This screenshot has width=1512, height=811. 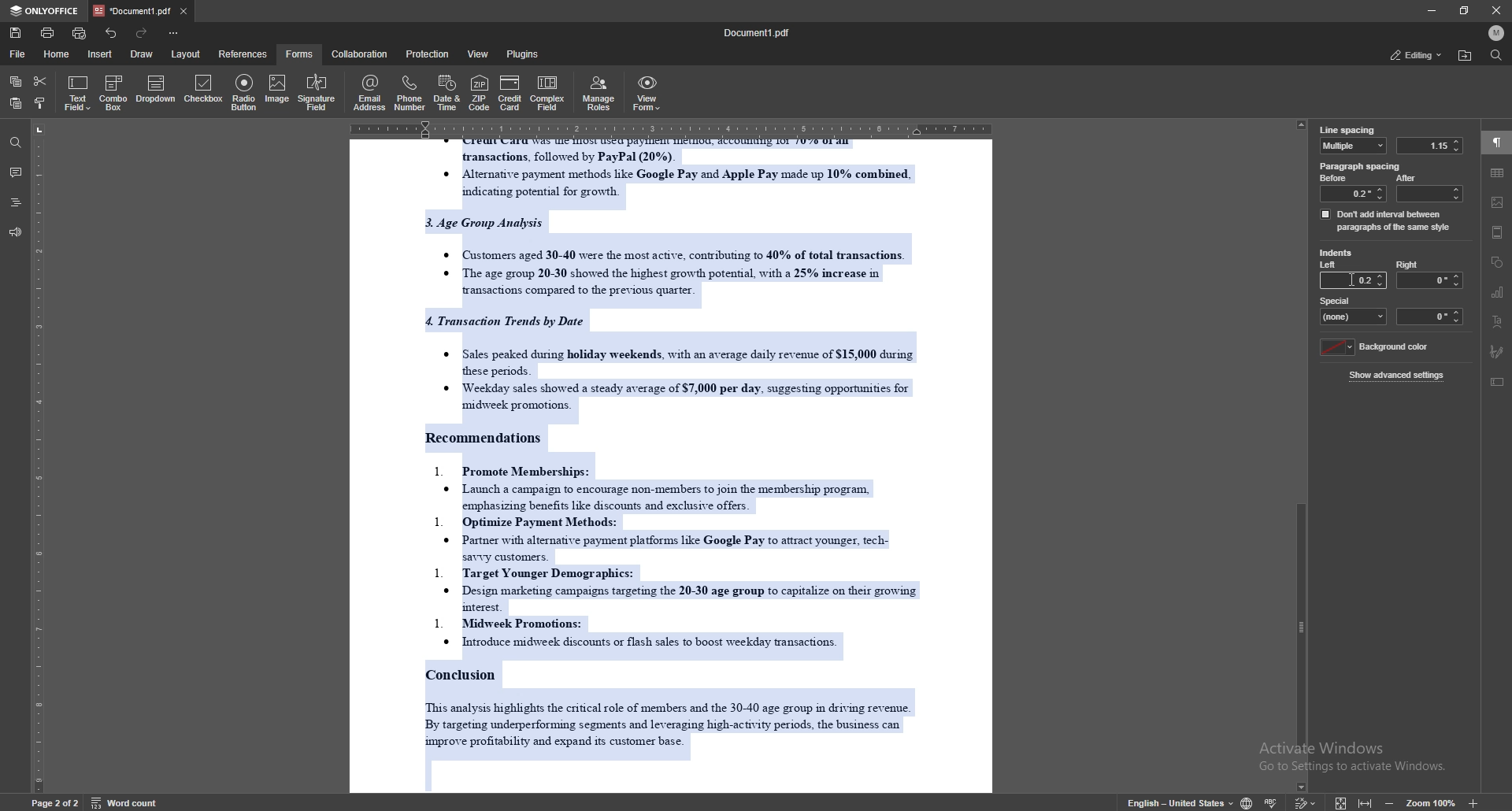 What do you see at coordinates (1432, 802) in the screenshot?
I see `zoom` at bounding box center [1432, 802].